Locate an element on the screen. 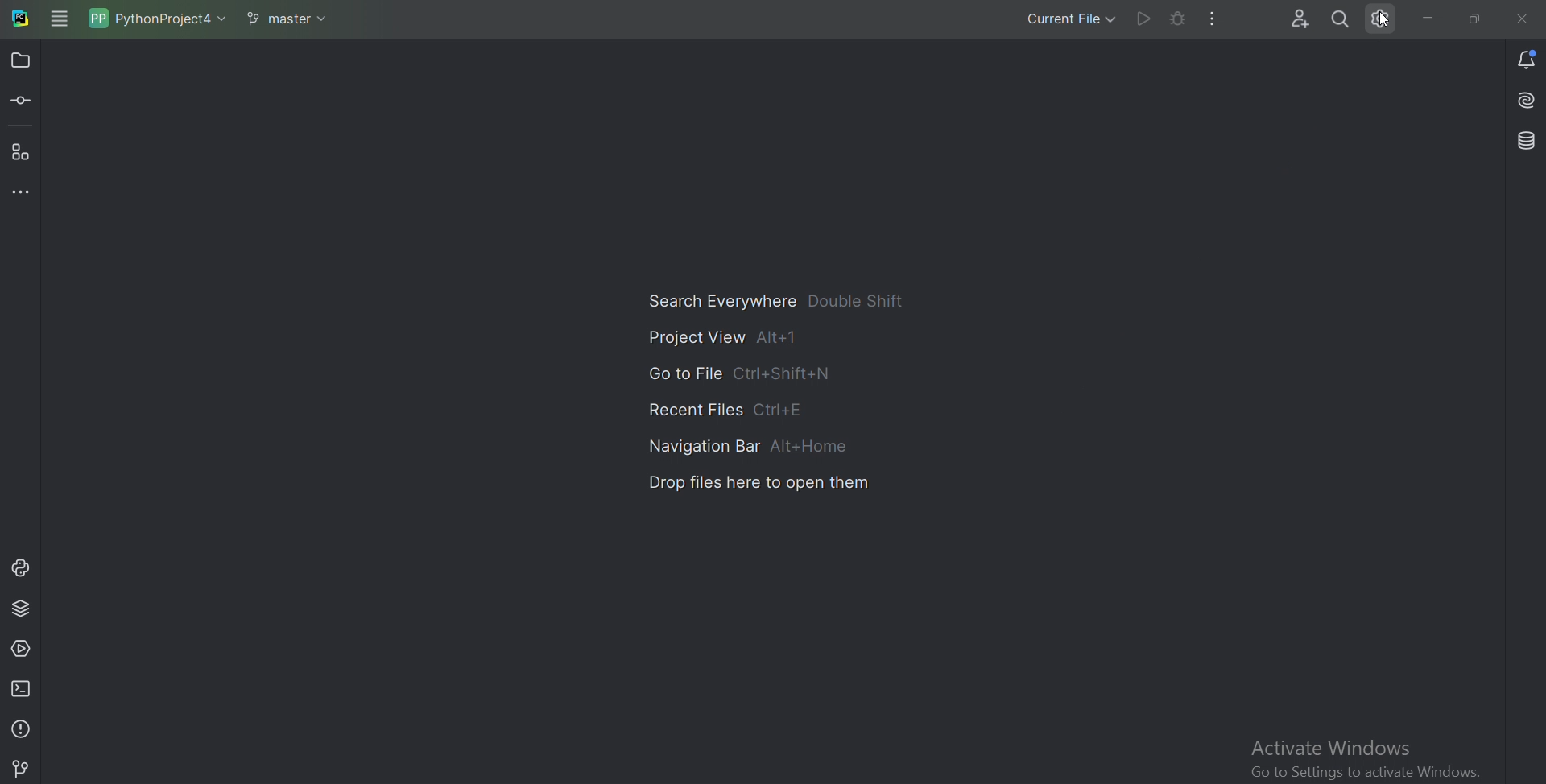 Image resolution: width=1546 pixels, height=784 pixels. Cursor is located at coordinates (1388, 21).